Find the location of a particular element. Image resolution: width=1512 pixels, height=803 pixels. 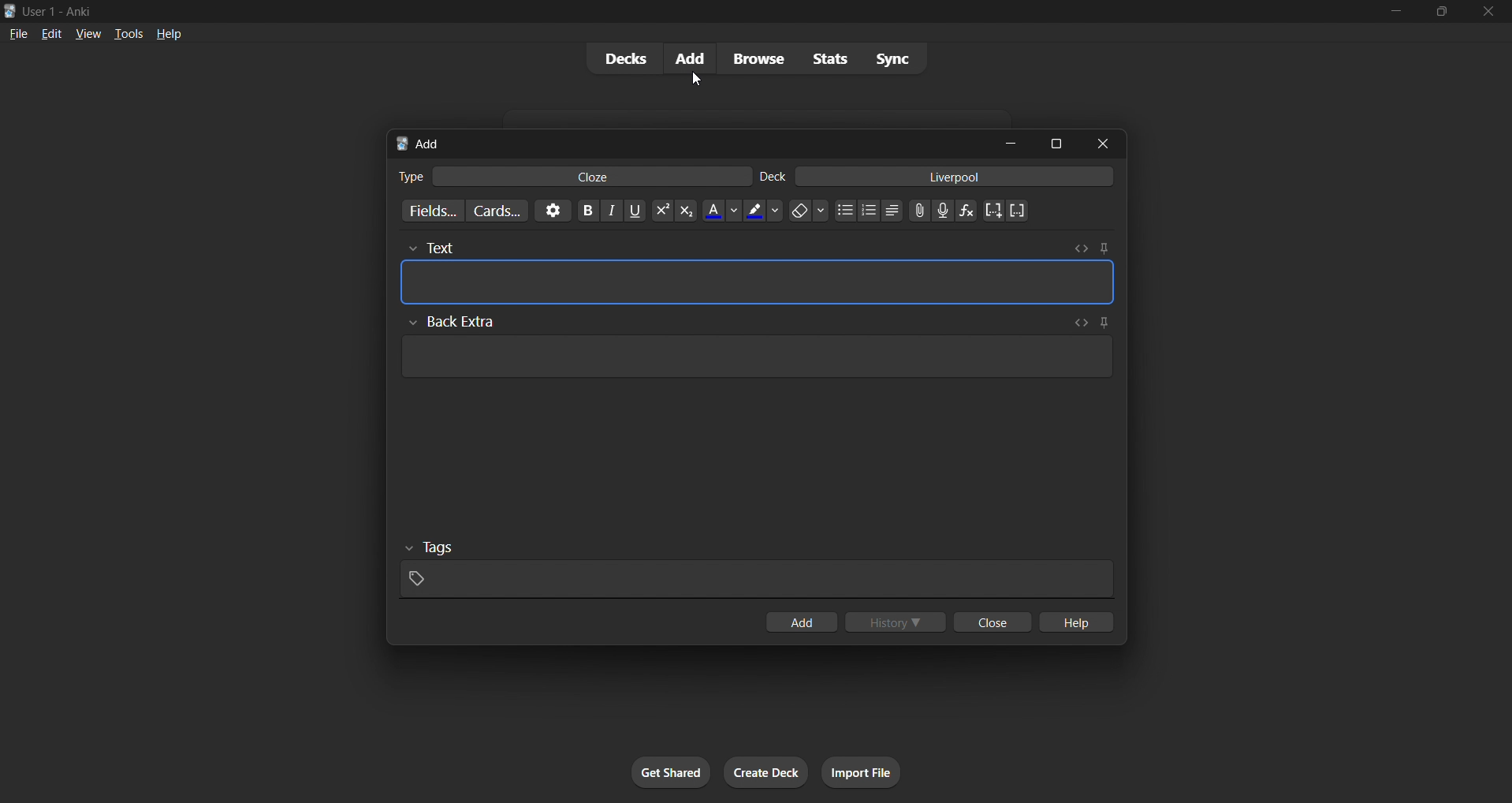

options is located at coordinates (557, 213).